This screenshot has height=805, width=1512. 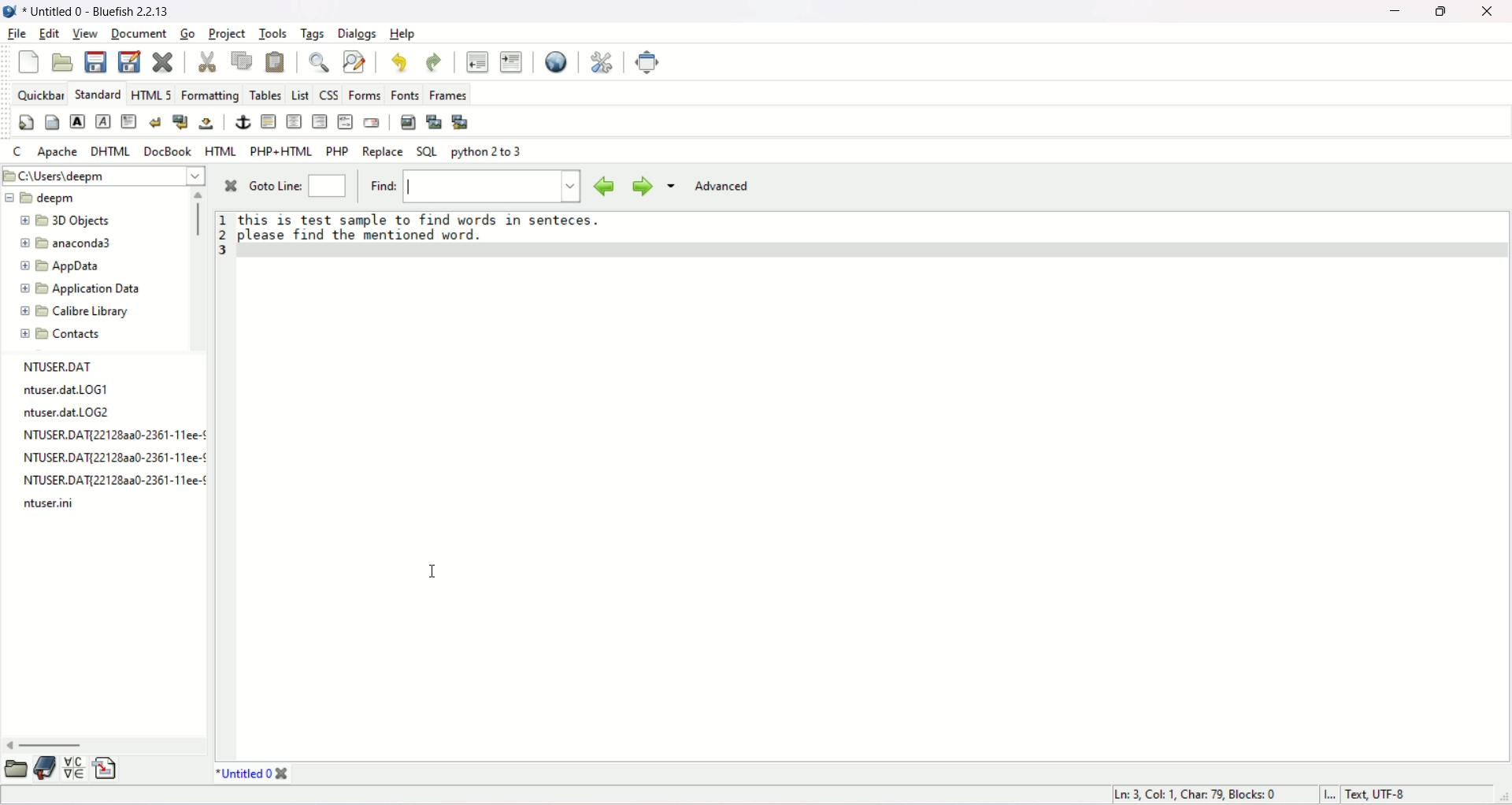 I want to click on python 2 to 3, so click(x=487, y=152).